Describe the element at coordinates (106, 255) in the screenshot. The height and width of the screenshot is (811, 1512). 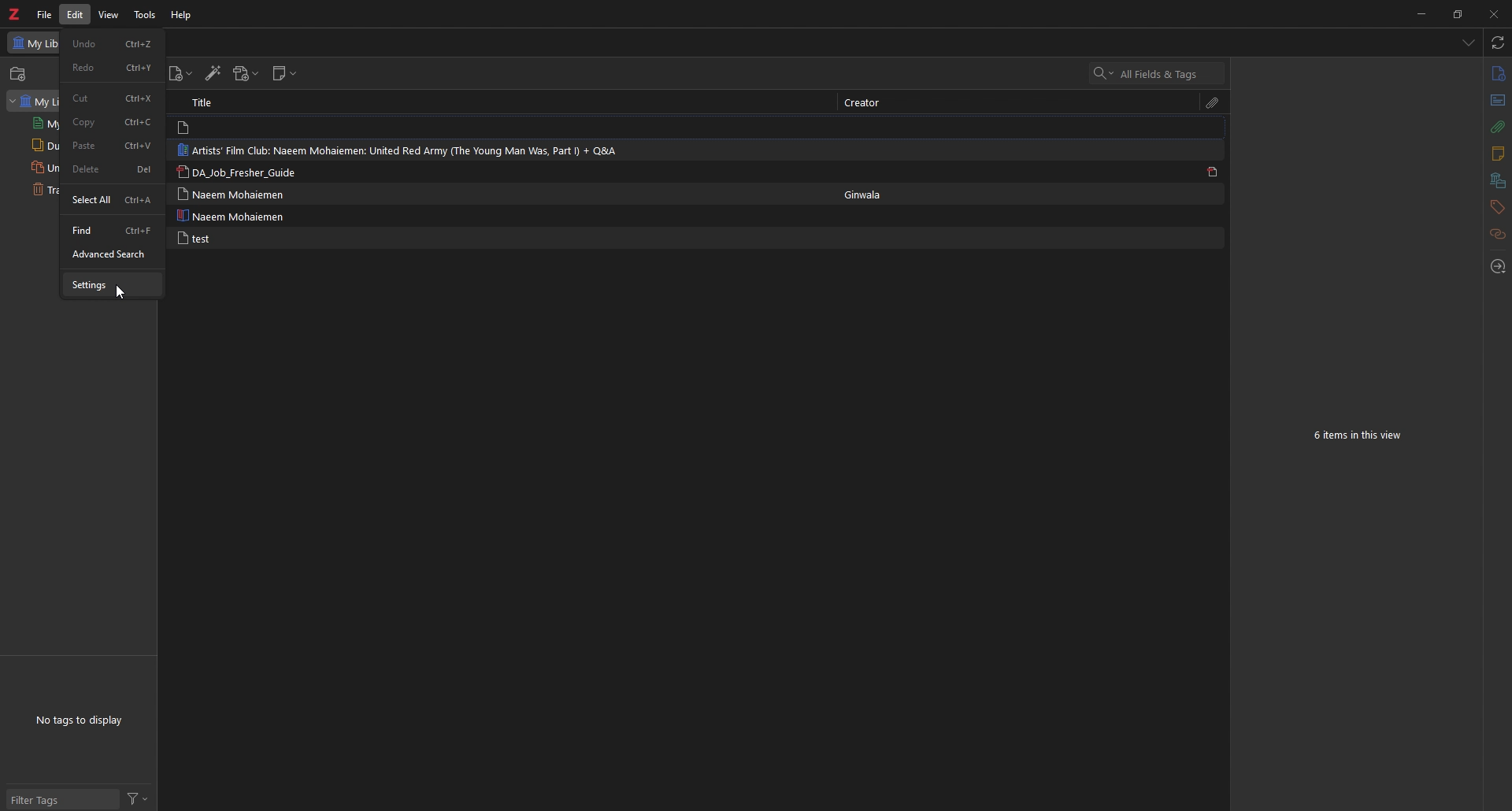
I see `Advanced Search` at that location.